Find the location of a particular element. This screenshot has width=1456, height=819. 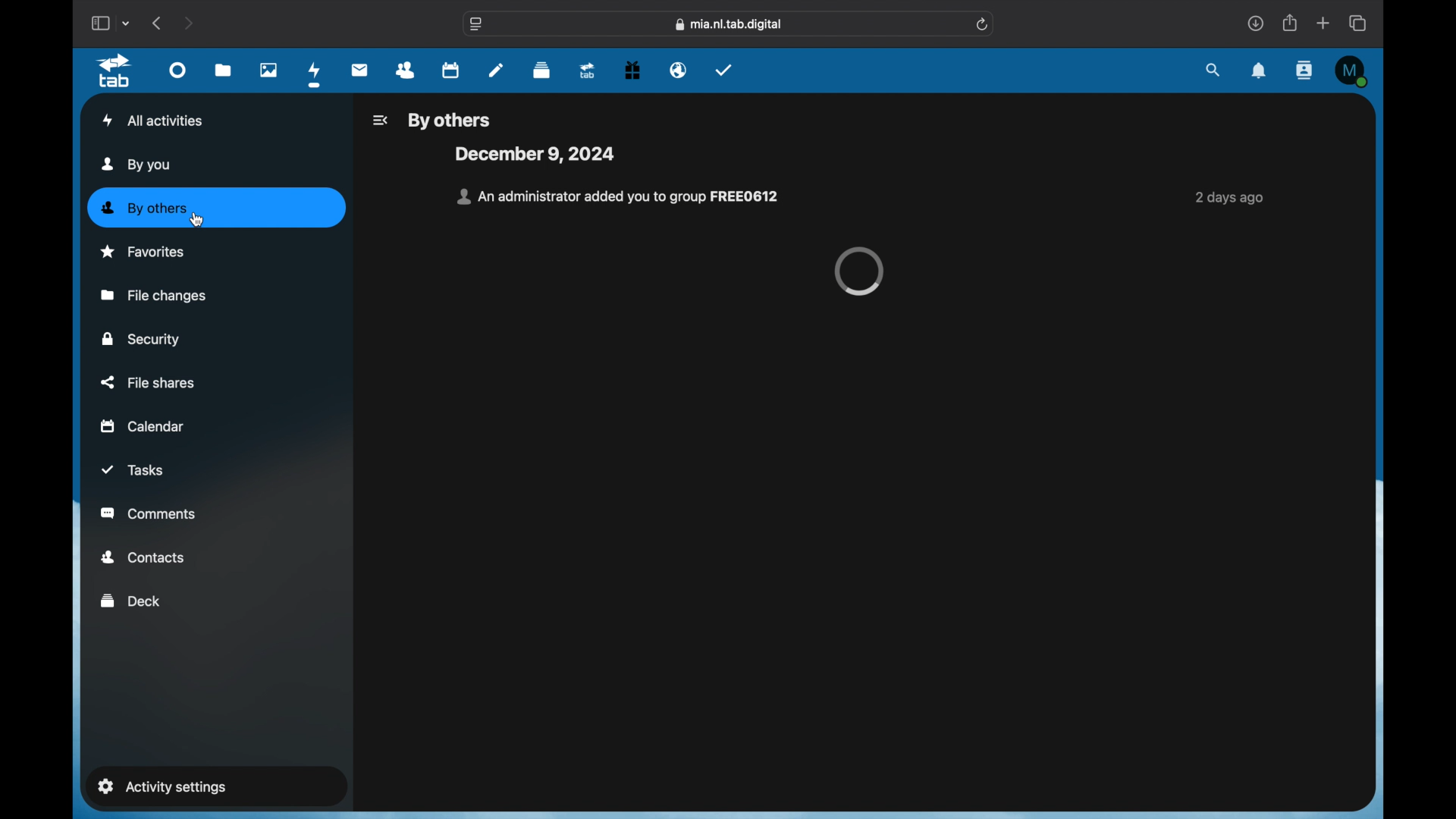

notification is located at coordinates (618, 196).